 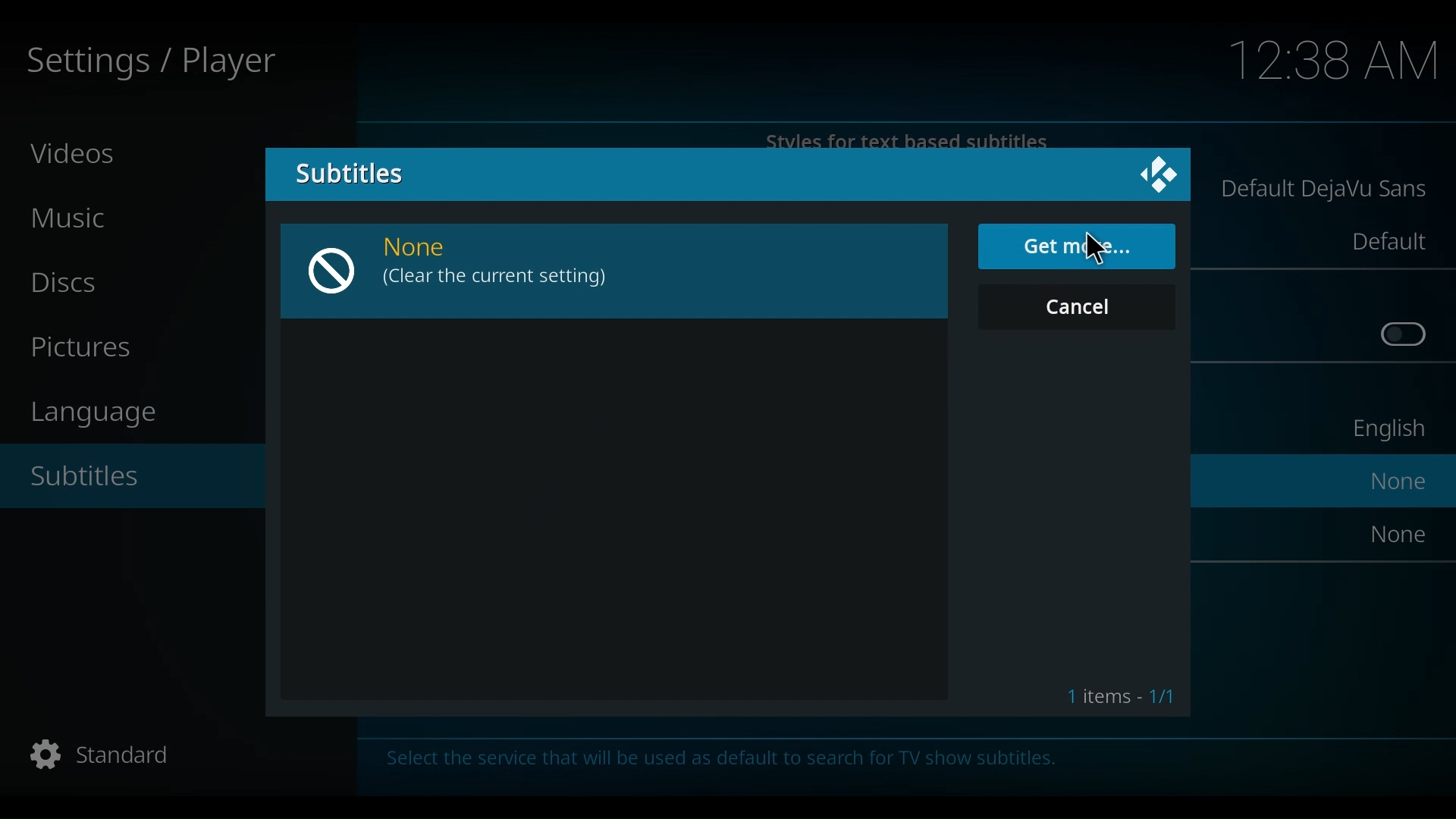 What do you see at coordinates (911, 140) in the screenshot?
I see `Styles for text based subtitles` at bounding box center [911, 140].